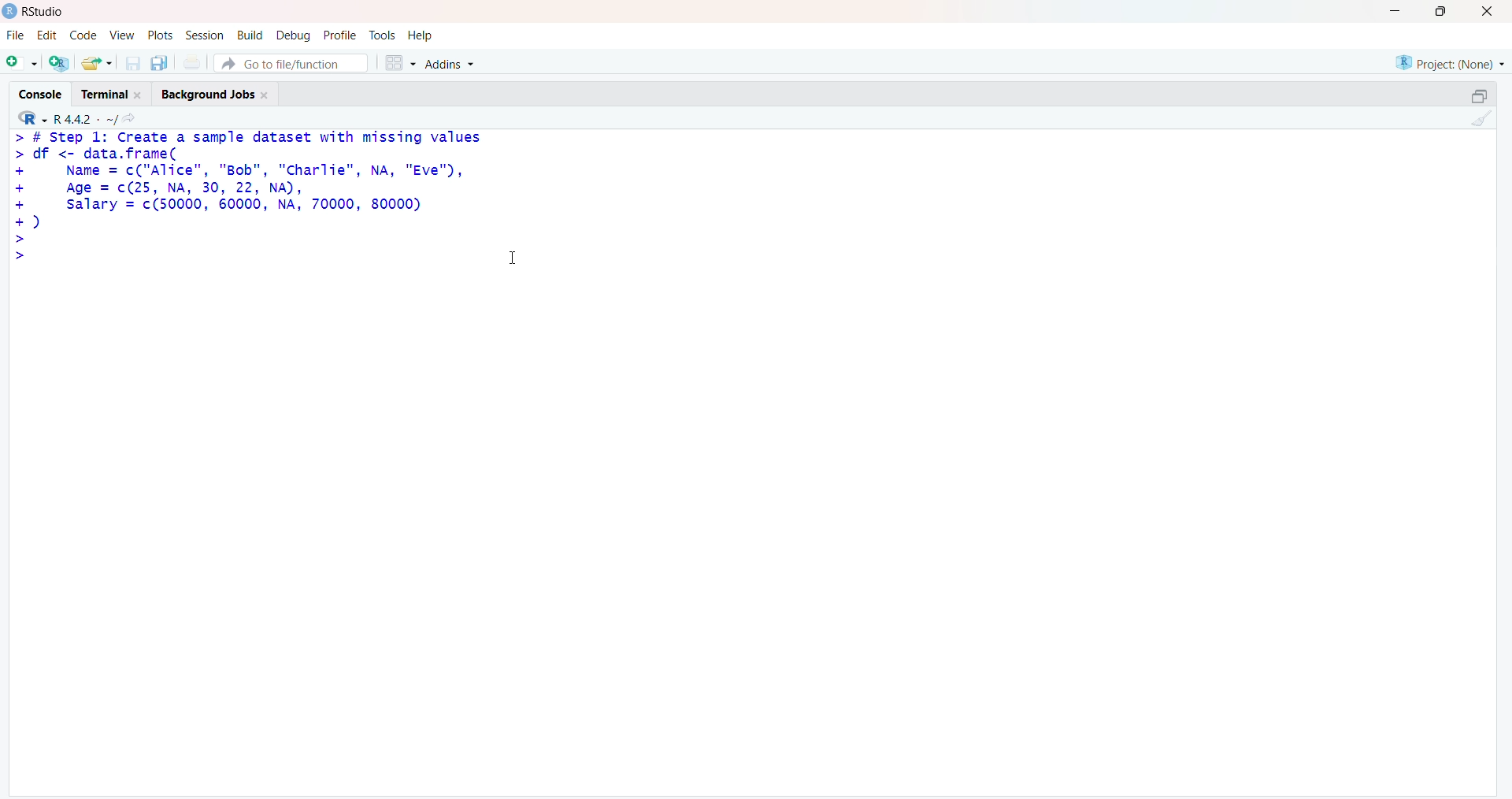 This screenshot has height=799, width=1512. What do you see at coordinates (291, 62) in the screenshot?
I see `Go to file/function` at bounding box center [291, 62].